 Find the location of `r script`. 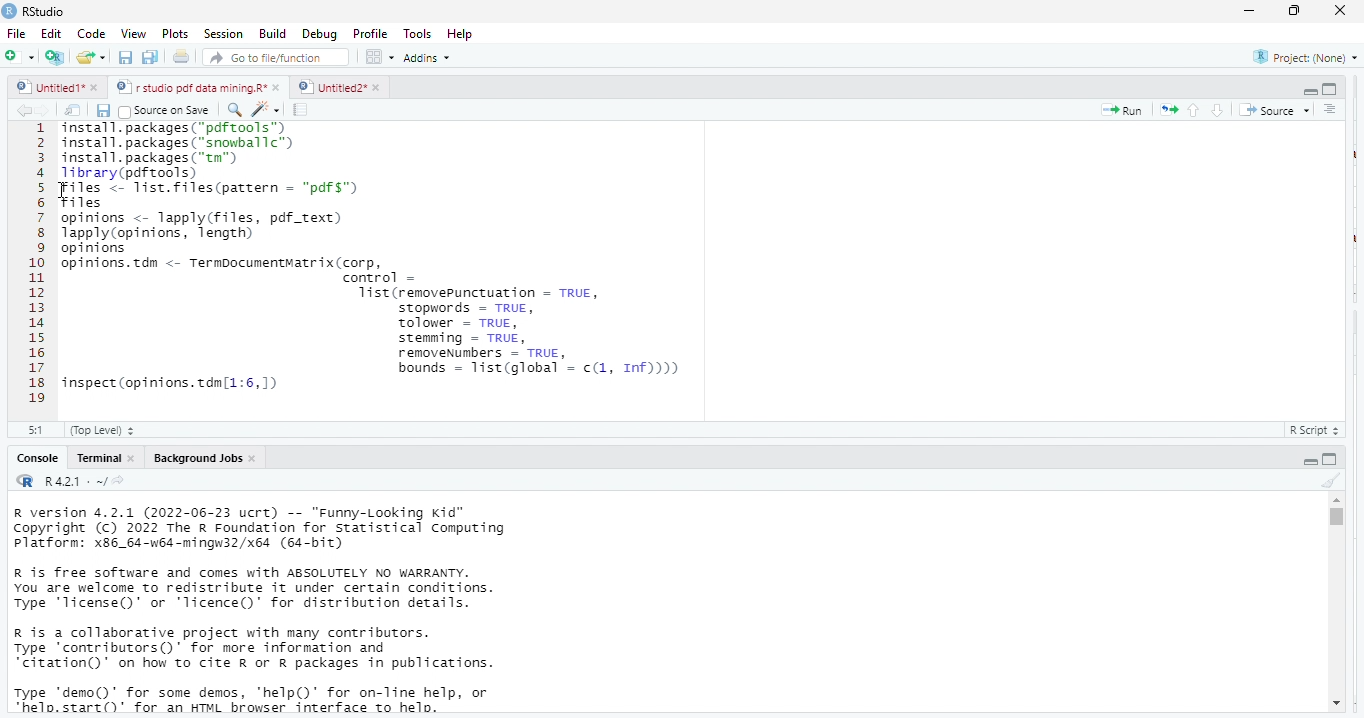

r script is located at coordinates (1319, 430).